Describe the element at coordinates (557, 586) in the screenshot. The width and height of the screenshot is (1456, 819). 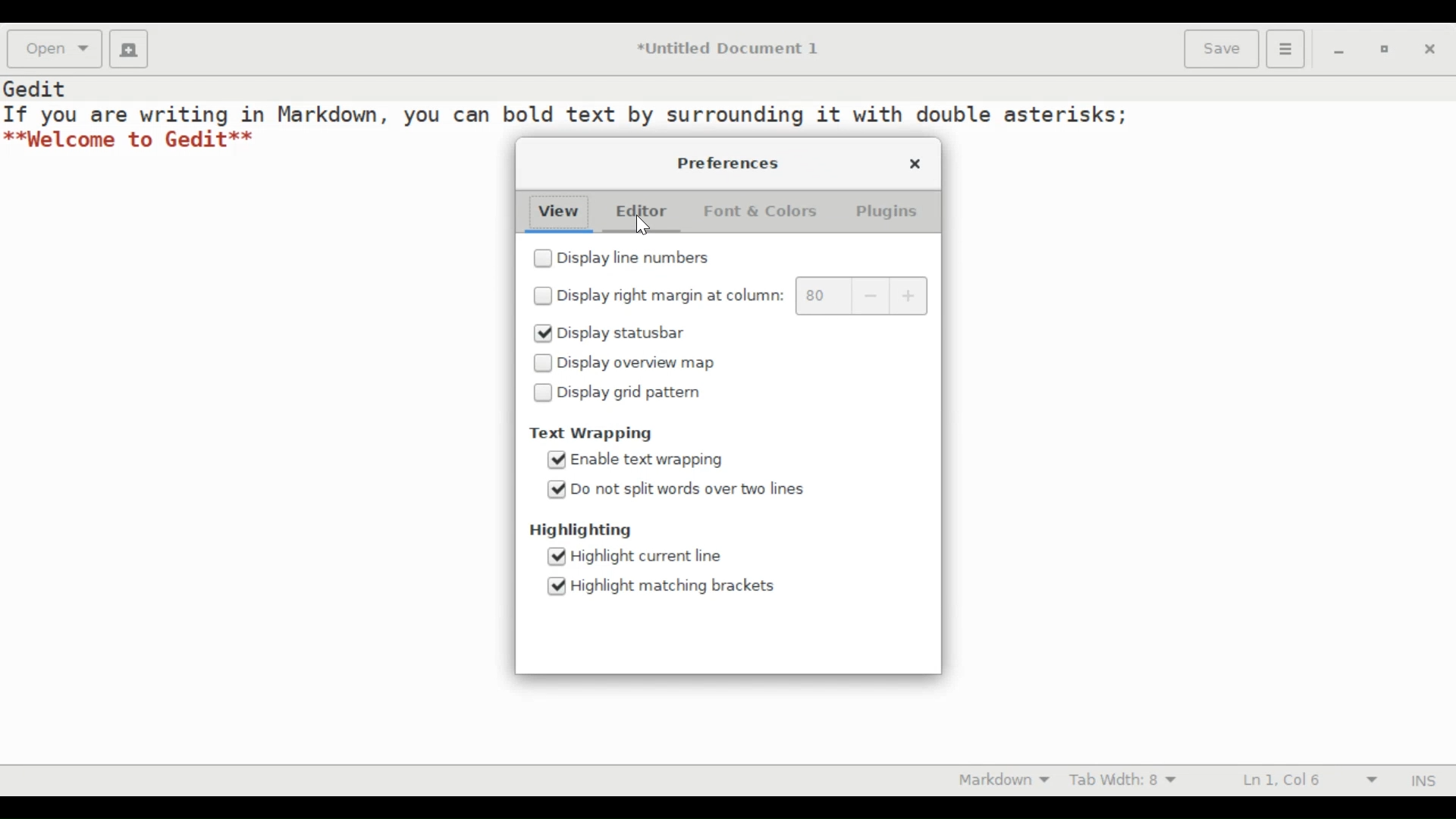
I see `Checked Checkbox` at that location.